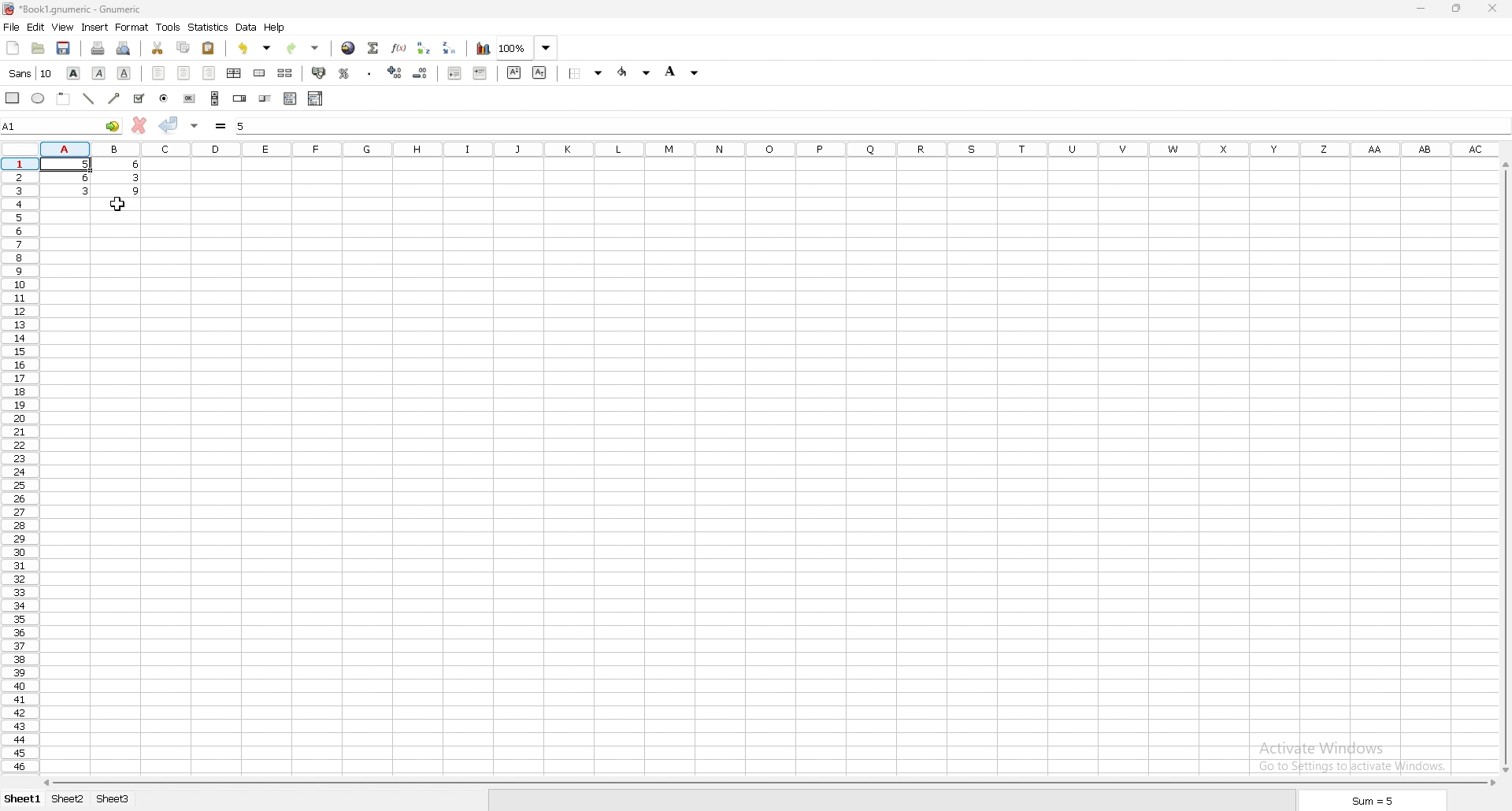 Image resolution: width=1512 pixels, height=811 pixels. Describe the element at coordinates (209, 47) in the screenshot. I see `paste` at that location.